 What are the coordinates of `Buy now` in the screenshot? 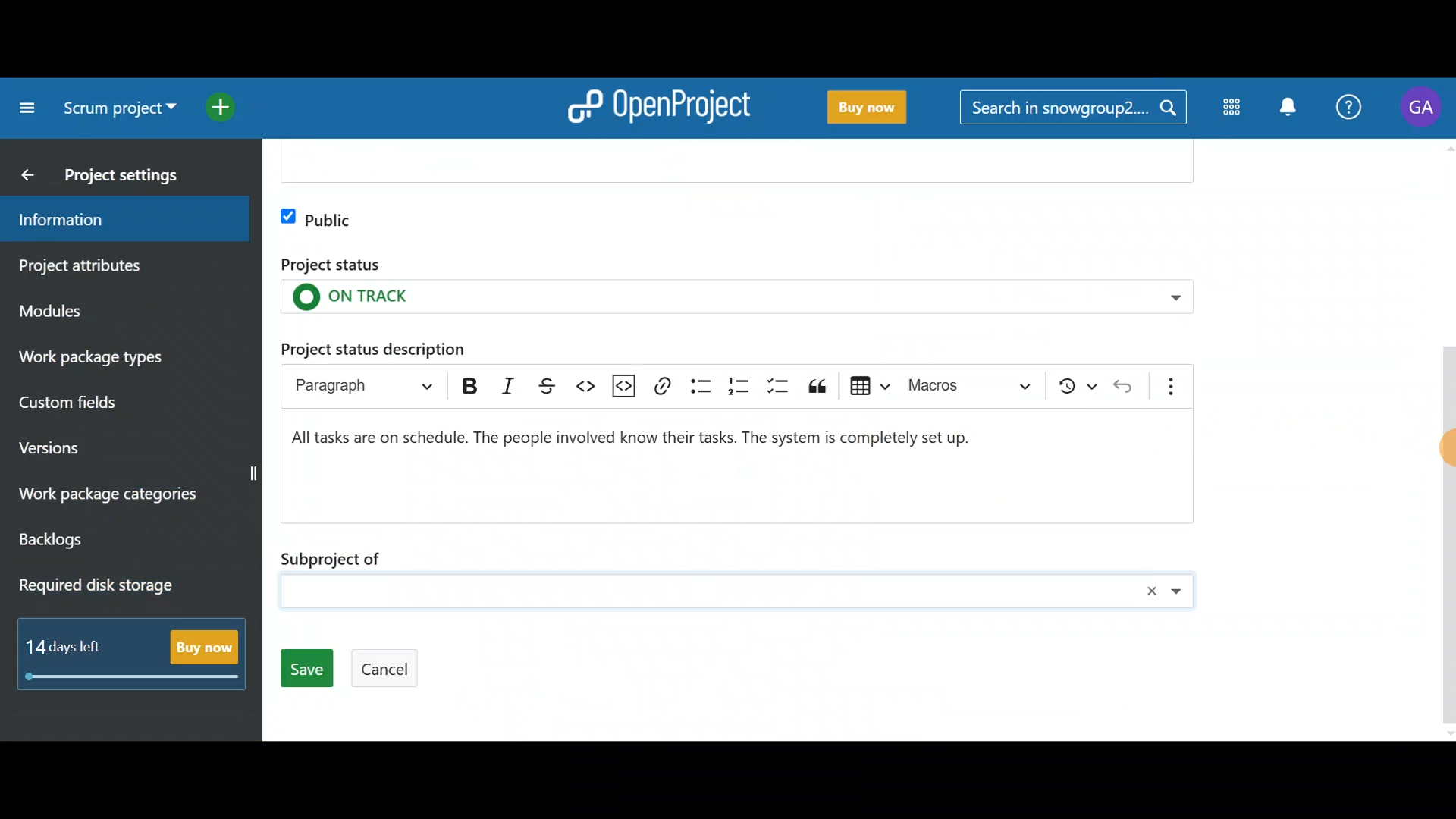 It's located at (877, 108).